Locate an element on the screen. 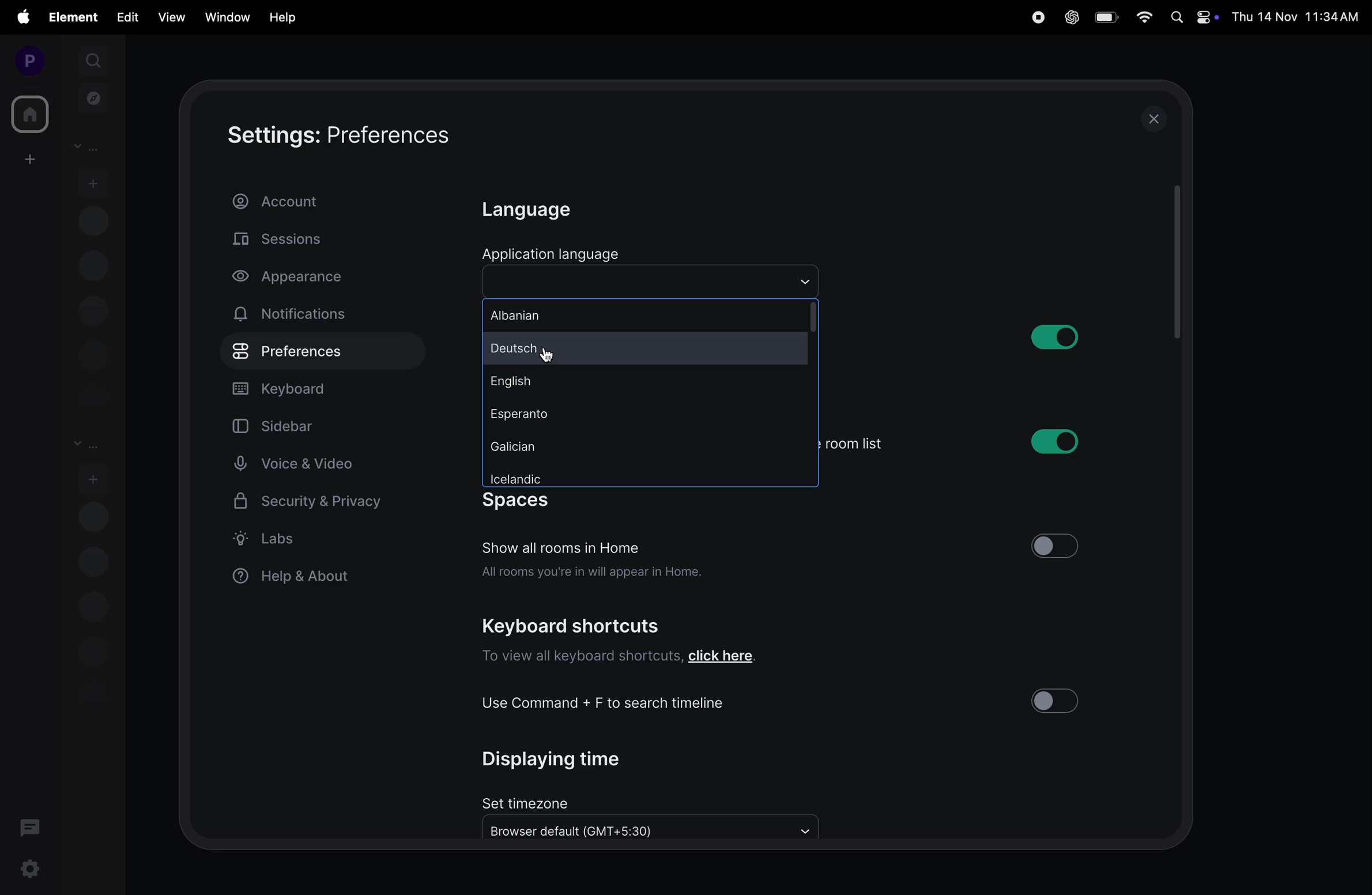 The height and width of the screenshot is (895, 1372). english is located at coordinates (650, 383).